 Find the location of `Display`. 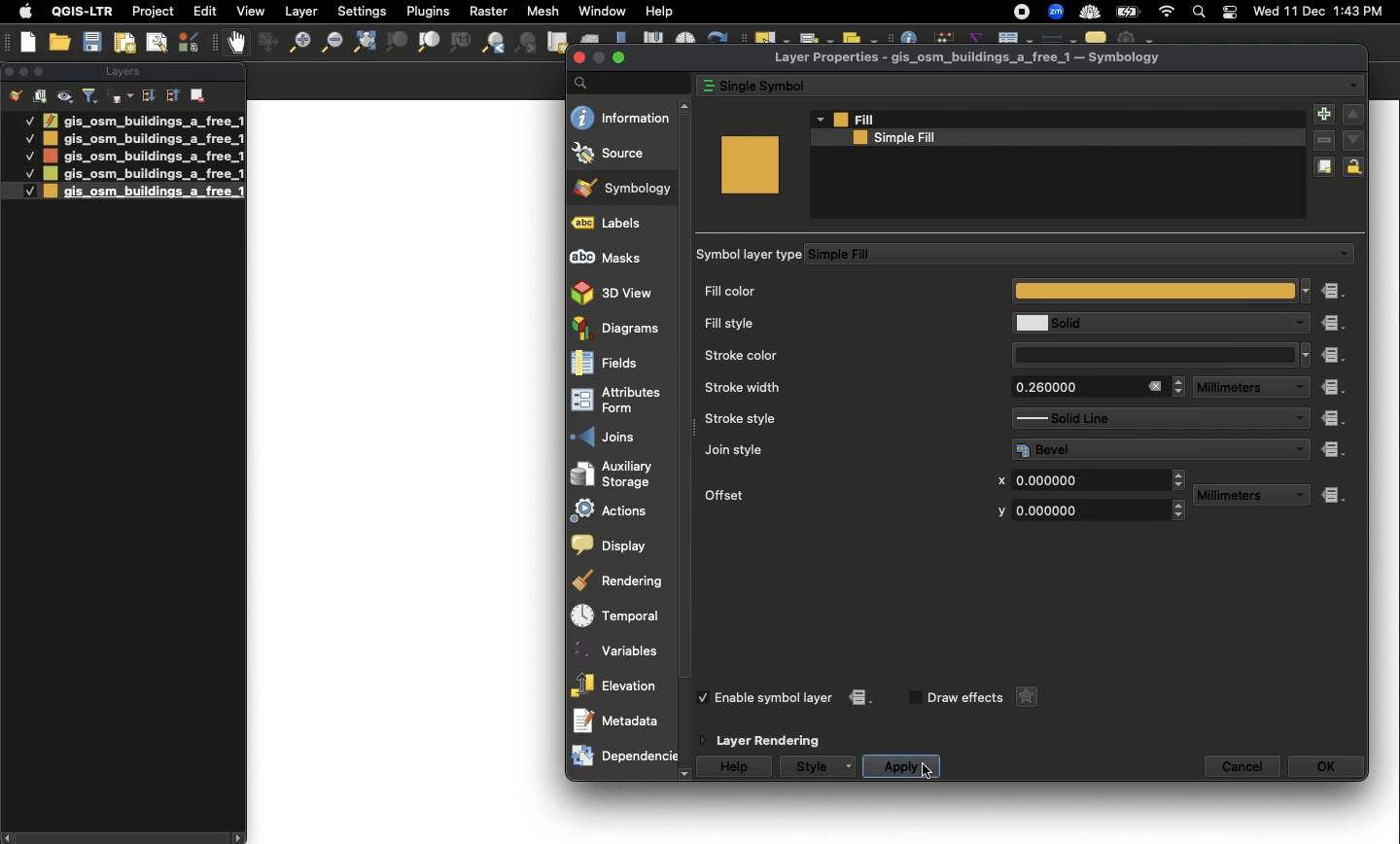

Display is located at coordinates (618, 545).